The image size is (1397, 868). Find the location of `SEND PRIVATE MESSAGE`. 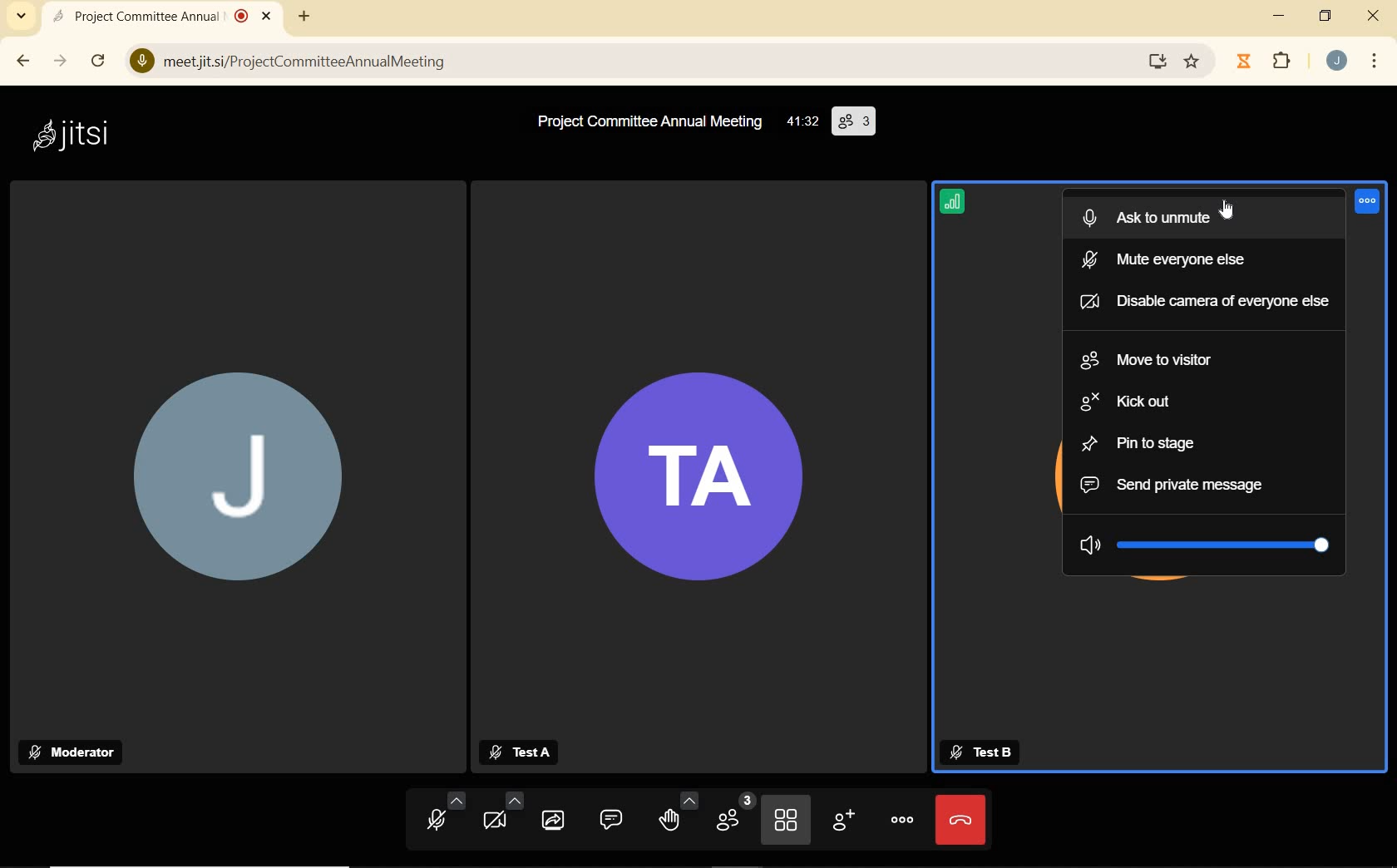

SEND PRIVATE MESSAGE is located at coordinates (1202, 484).